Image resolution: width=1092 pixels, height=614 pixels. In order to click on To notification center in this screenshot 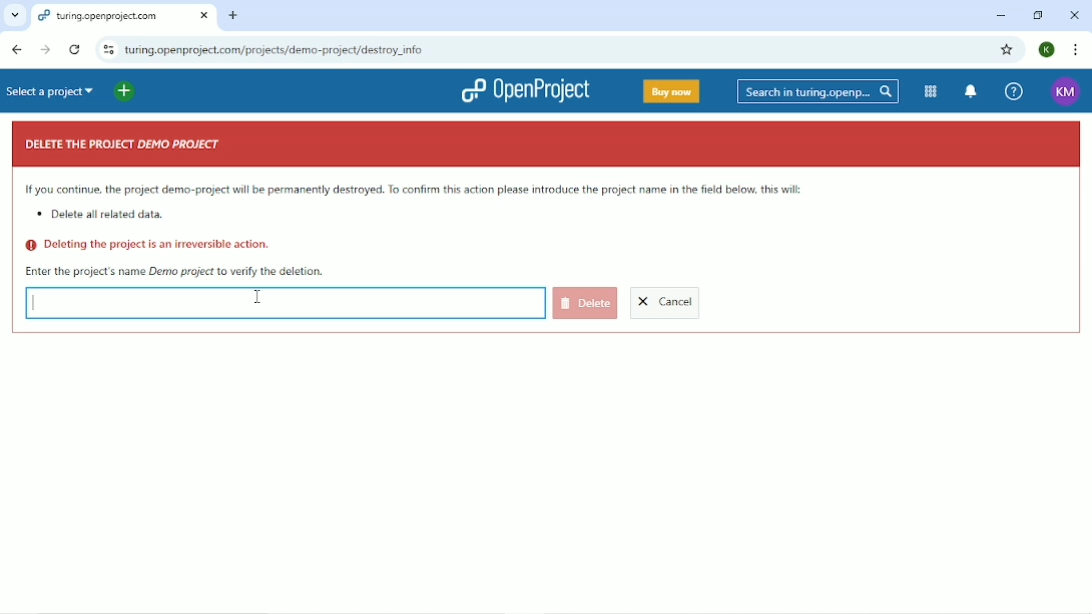, I will do `click(971, 91)`.